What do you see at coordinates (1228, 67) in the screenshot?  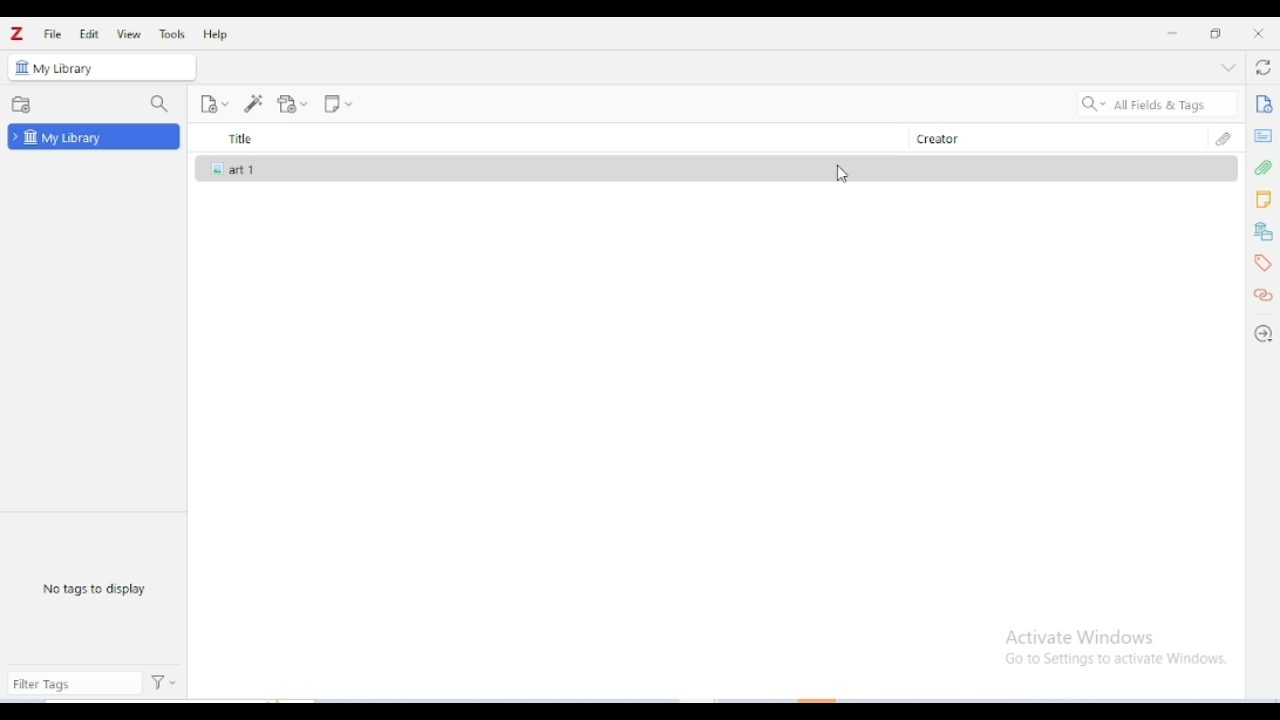 I see `collapse section` at bounding box center [1228, 67].